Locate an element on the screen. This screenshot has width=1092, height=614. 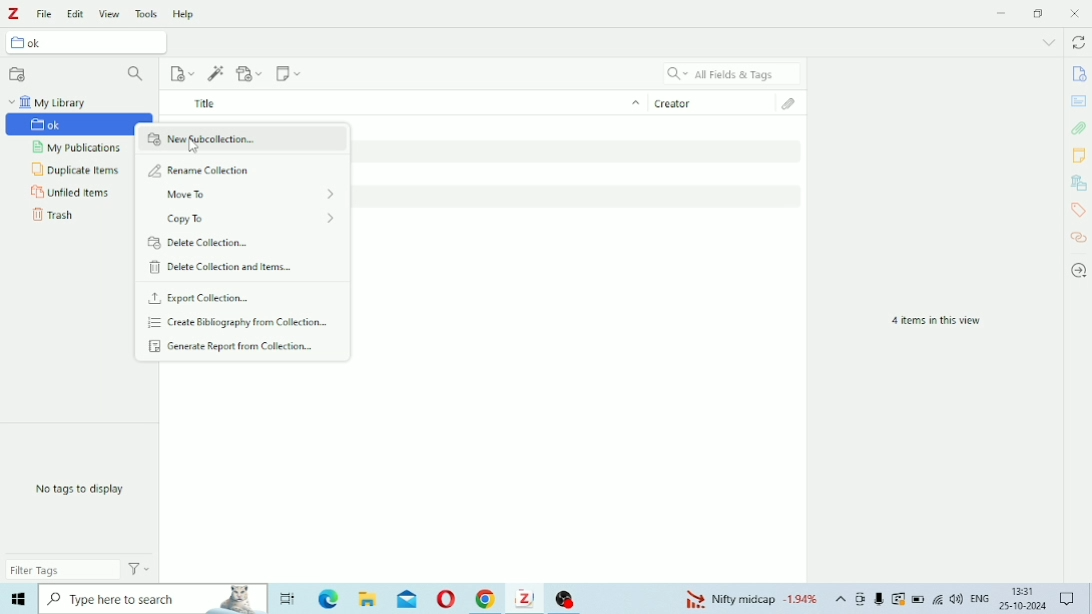
Windows is located at coordinates (18, 599).